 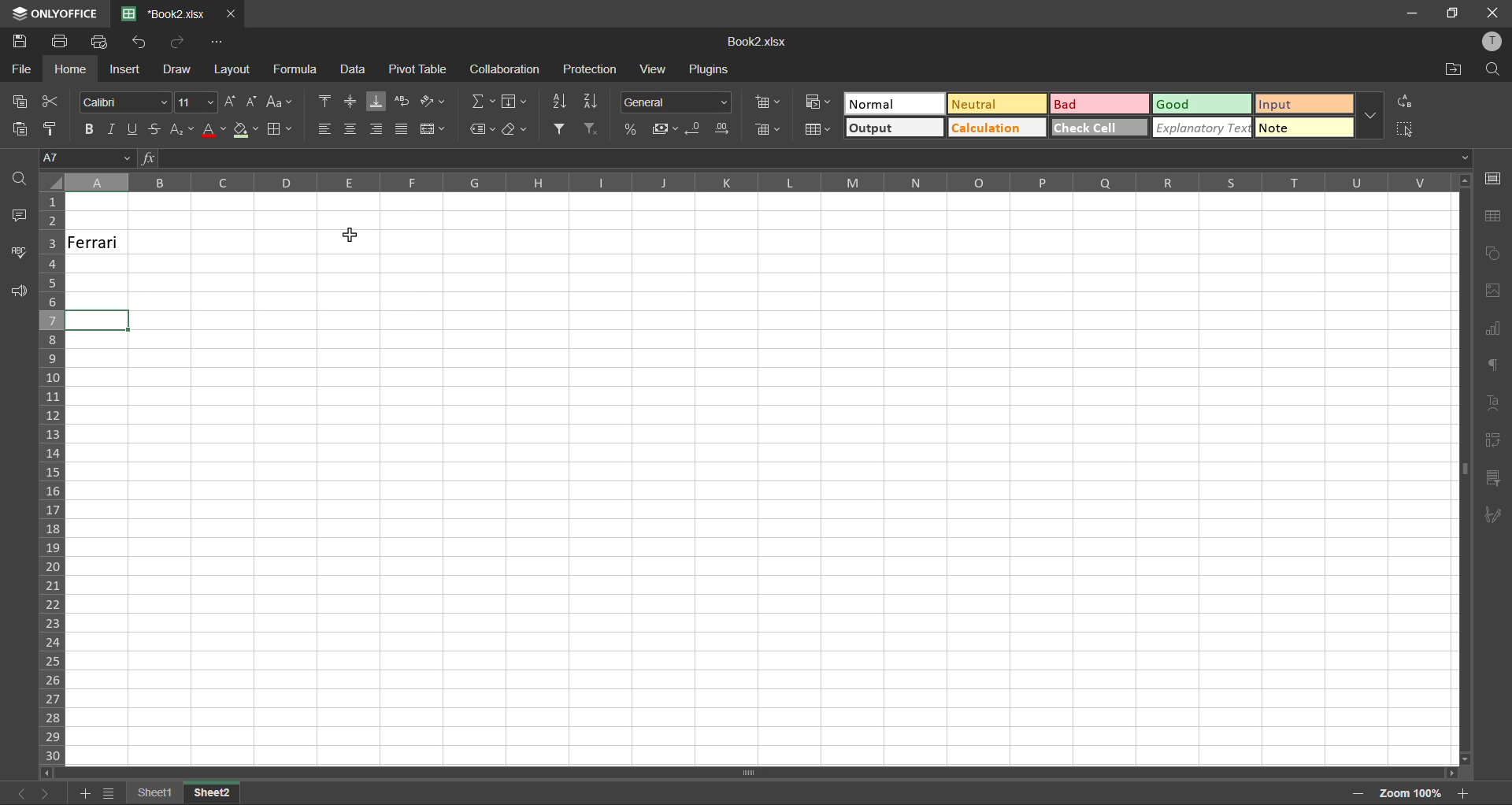 I want to click on paste, so click(x=20, y=131).